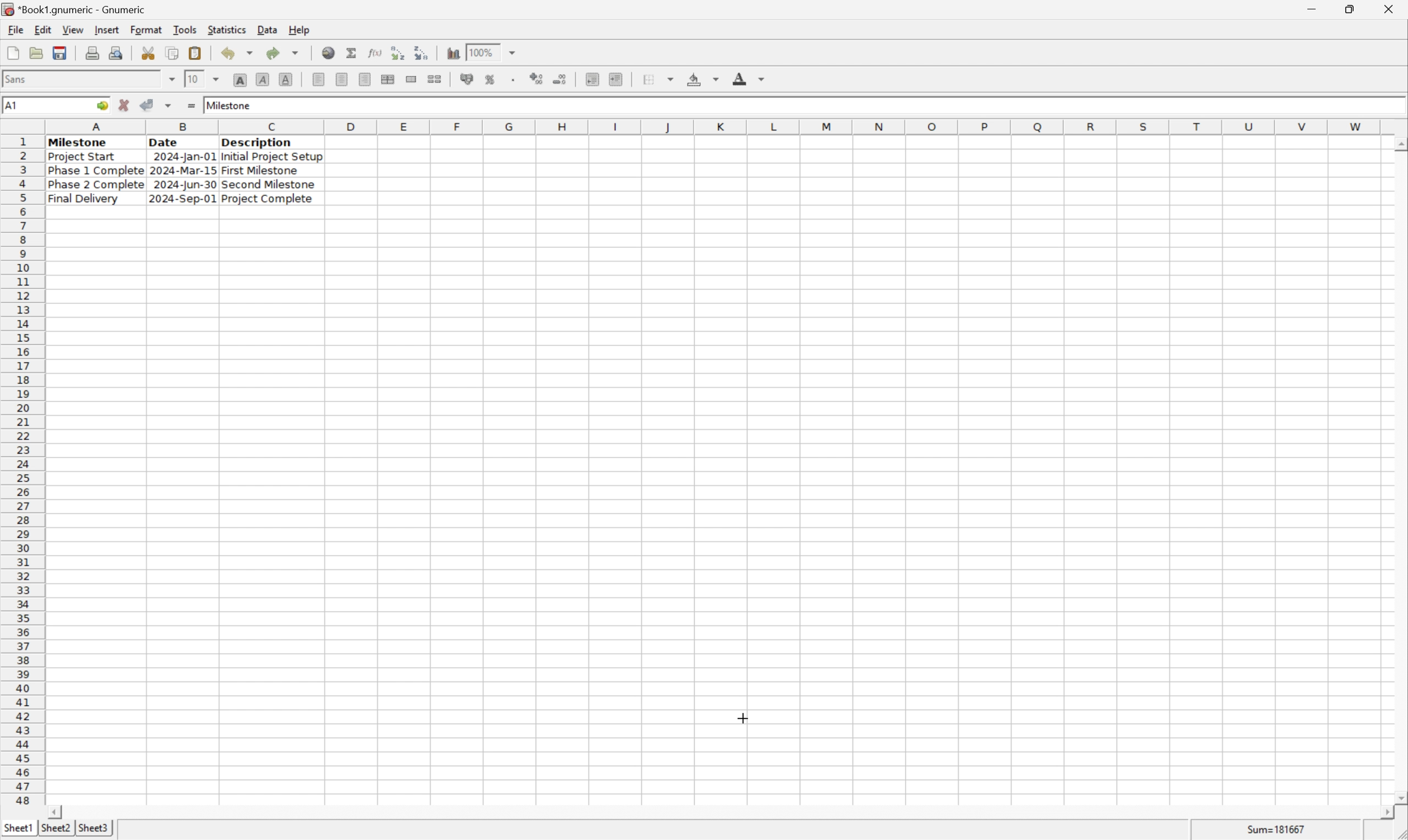  What do you see at coordinates (353, 53) in the screenshot?
I see `sum in current cell` at bounding box center [353, 53].